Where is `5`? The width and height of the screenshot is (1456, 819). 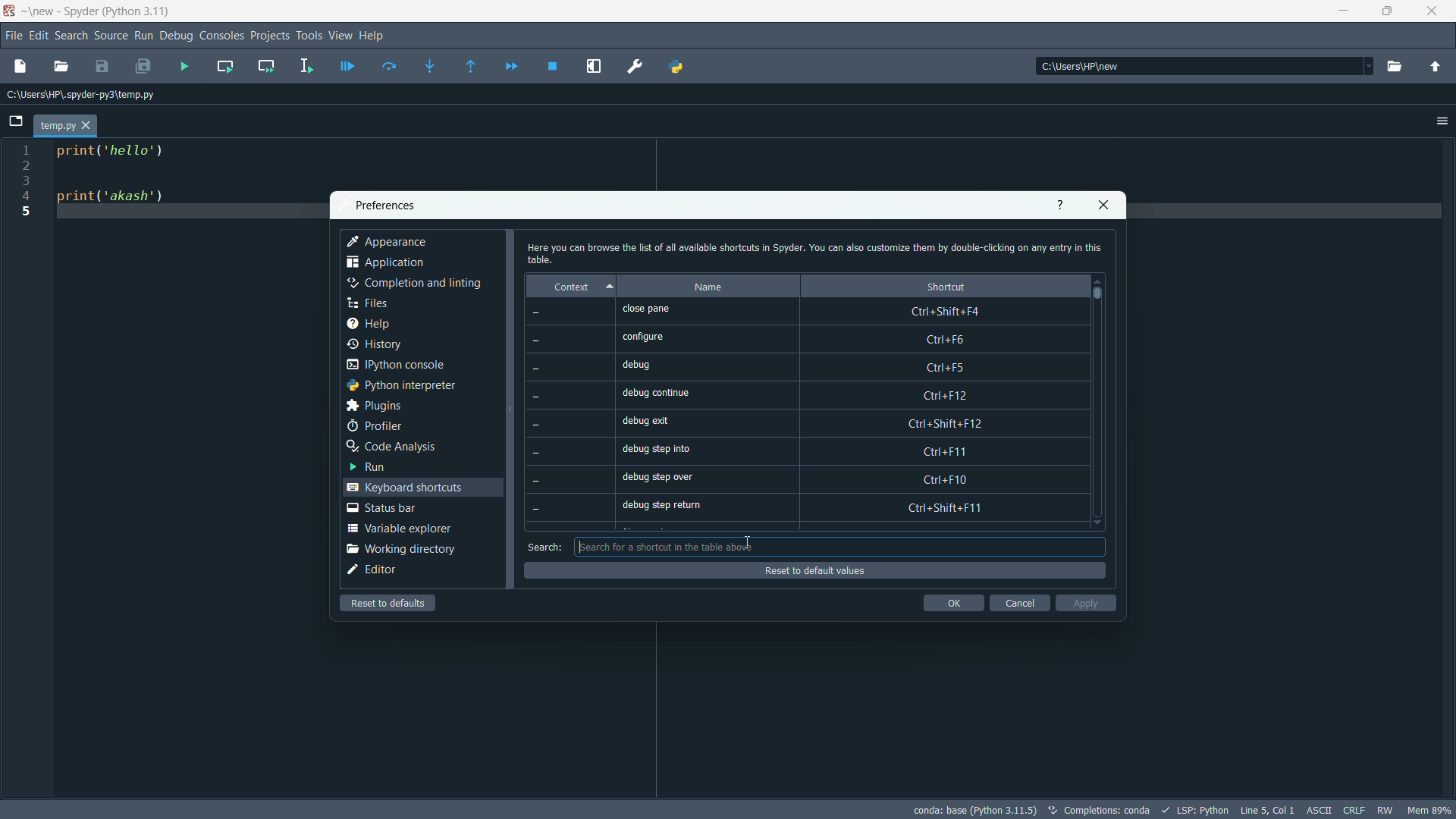
5 is located at coordinates (29, 212).